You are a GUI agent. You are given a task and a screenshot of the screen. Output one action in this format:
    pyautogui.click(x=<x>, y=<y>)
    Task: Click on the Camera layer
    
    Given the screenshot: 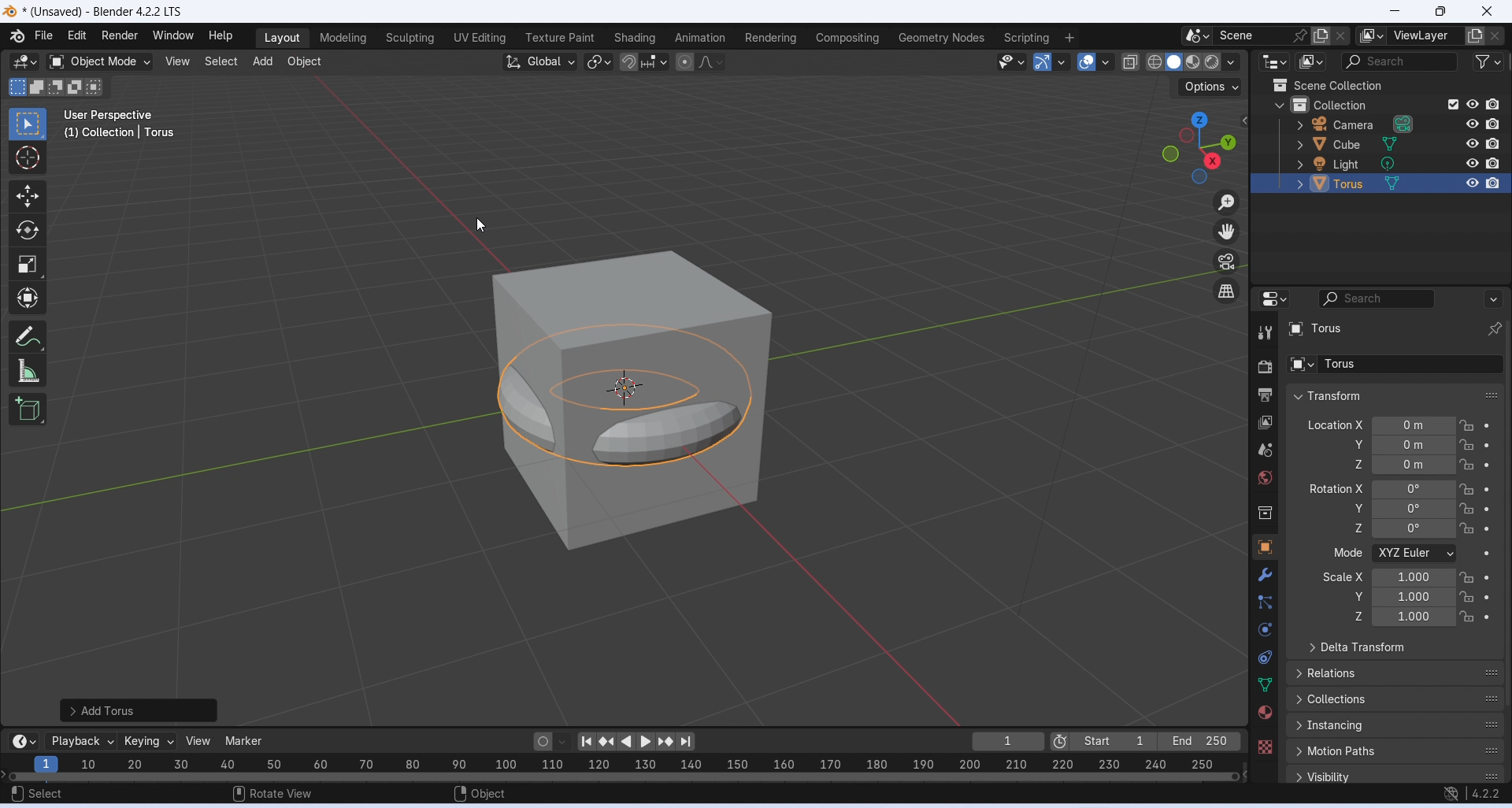 What is the action you would take?
    pyautogui.click(x=1395, y=123)
    